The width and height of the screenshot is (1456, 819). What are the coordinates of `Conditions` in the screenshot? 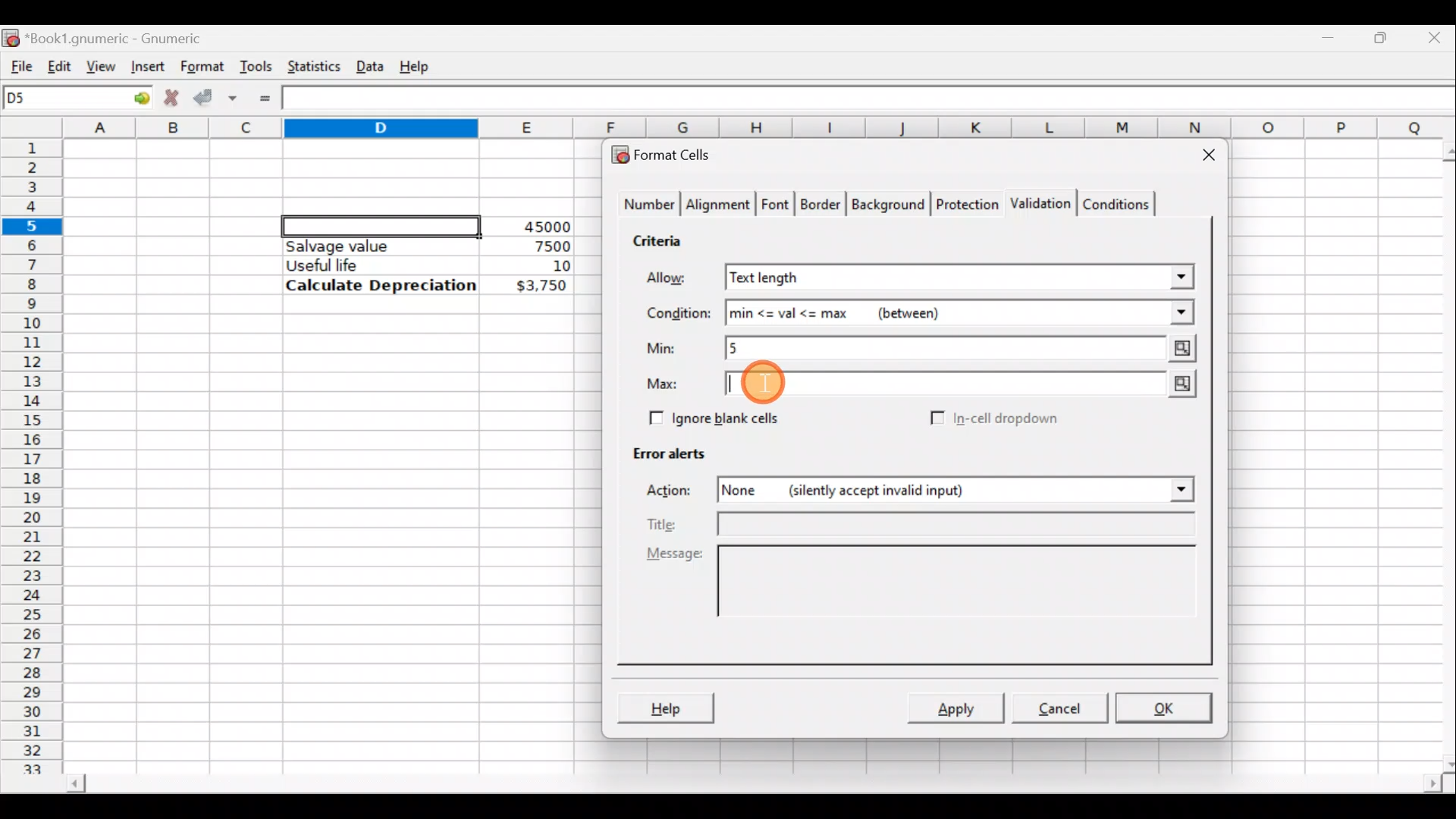 It's located at (1116, 203).